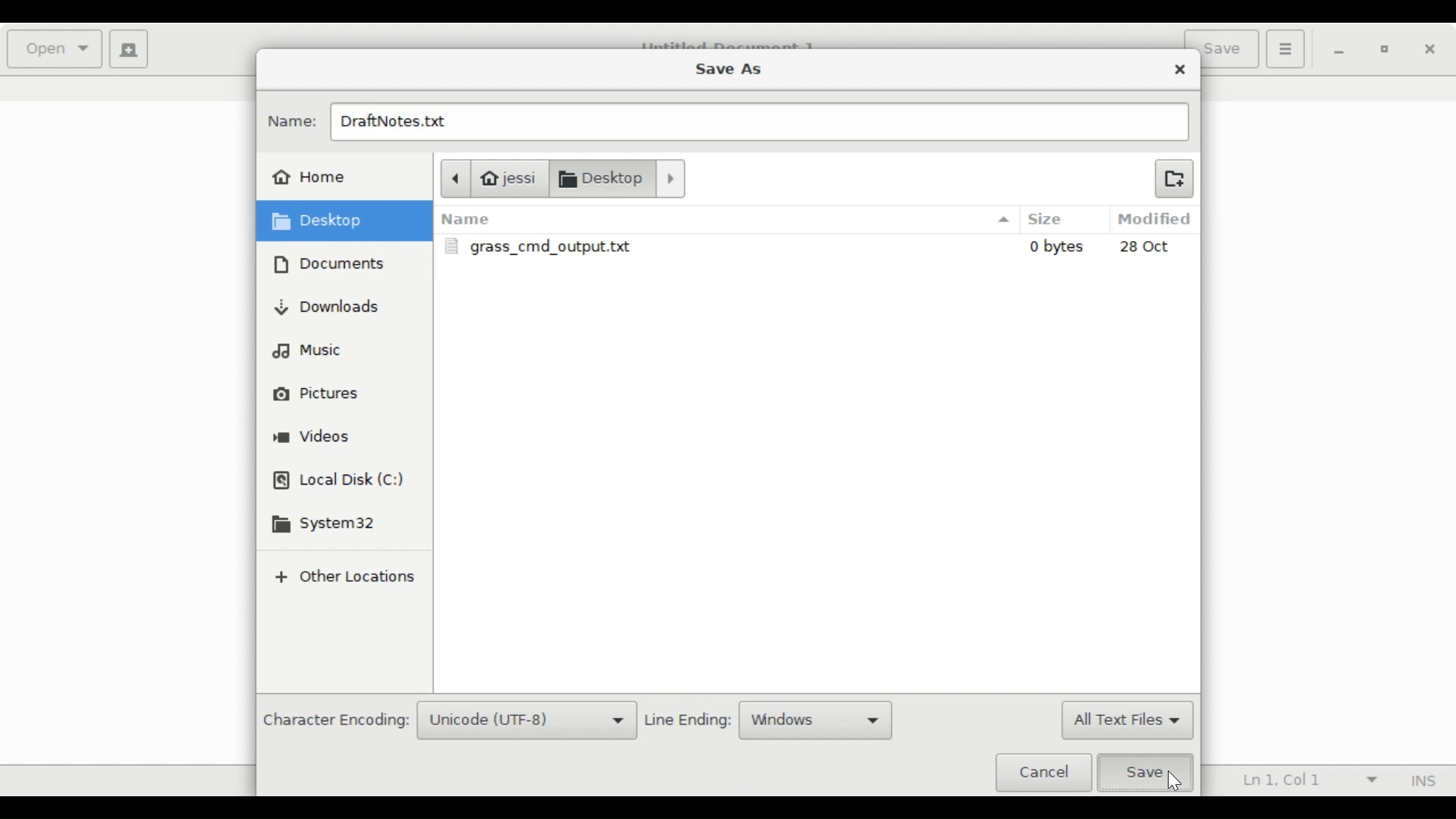 This screenshot has height=819, width=1456. I want to click on minimize, so click(1341, 51).